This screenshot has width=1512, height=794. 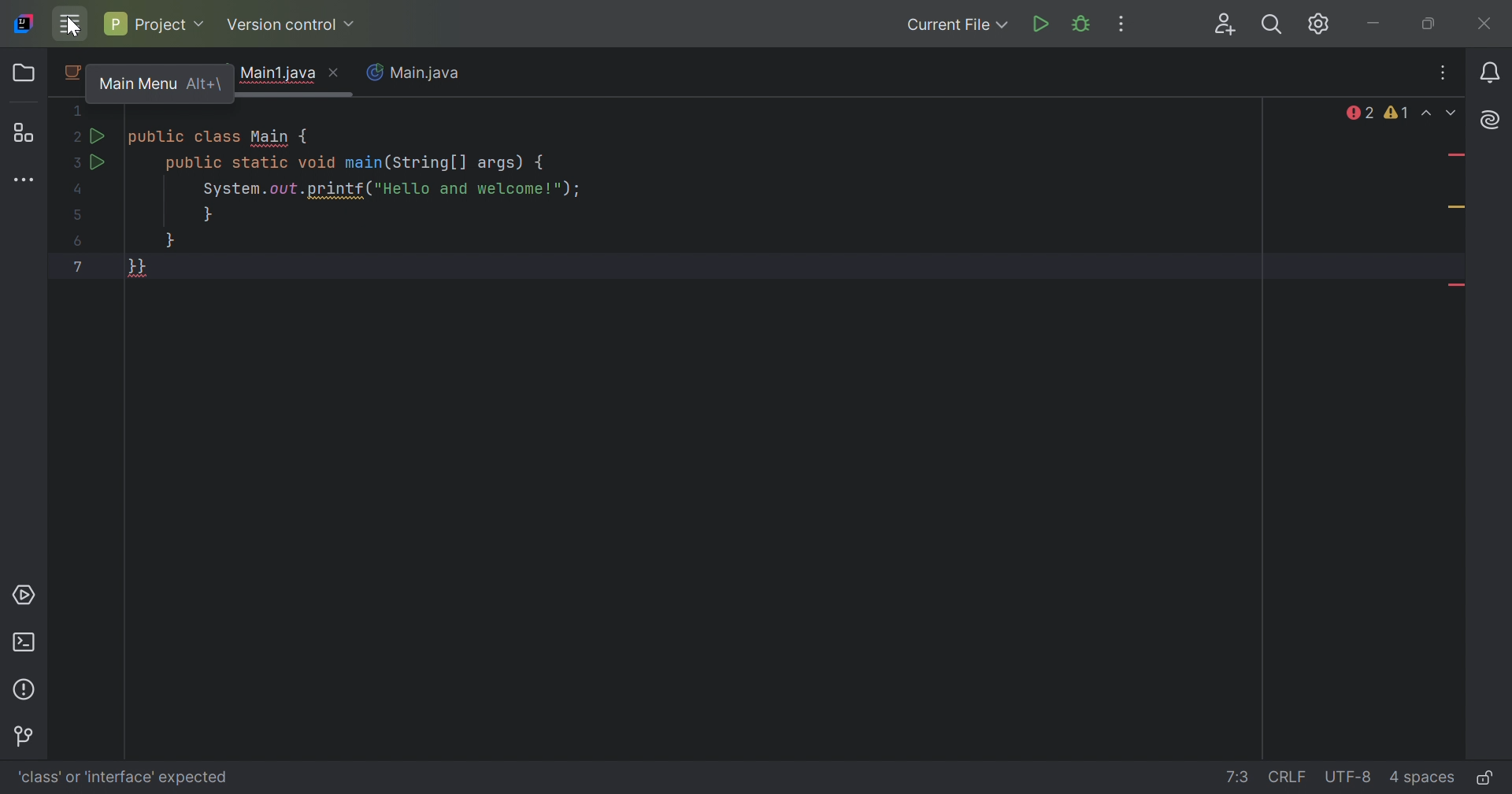 I want to click on Alt+\, so click(x=204, y=84).